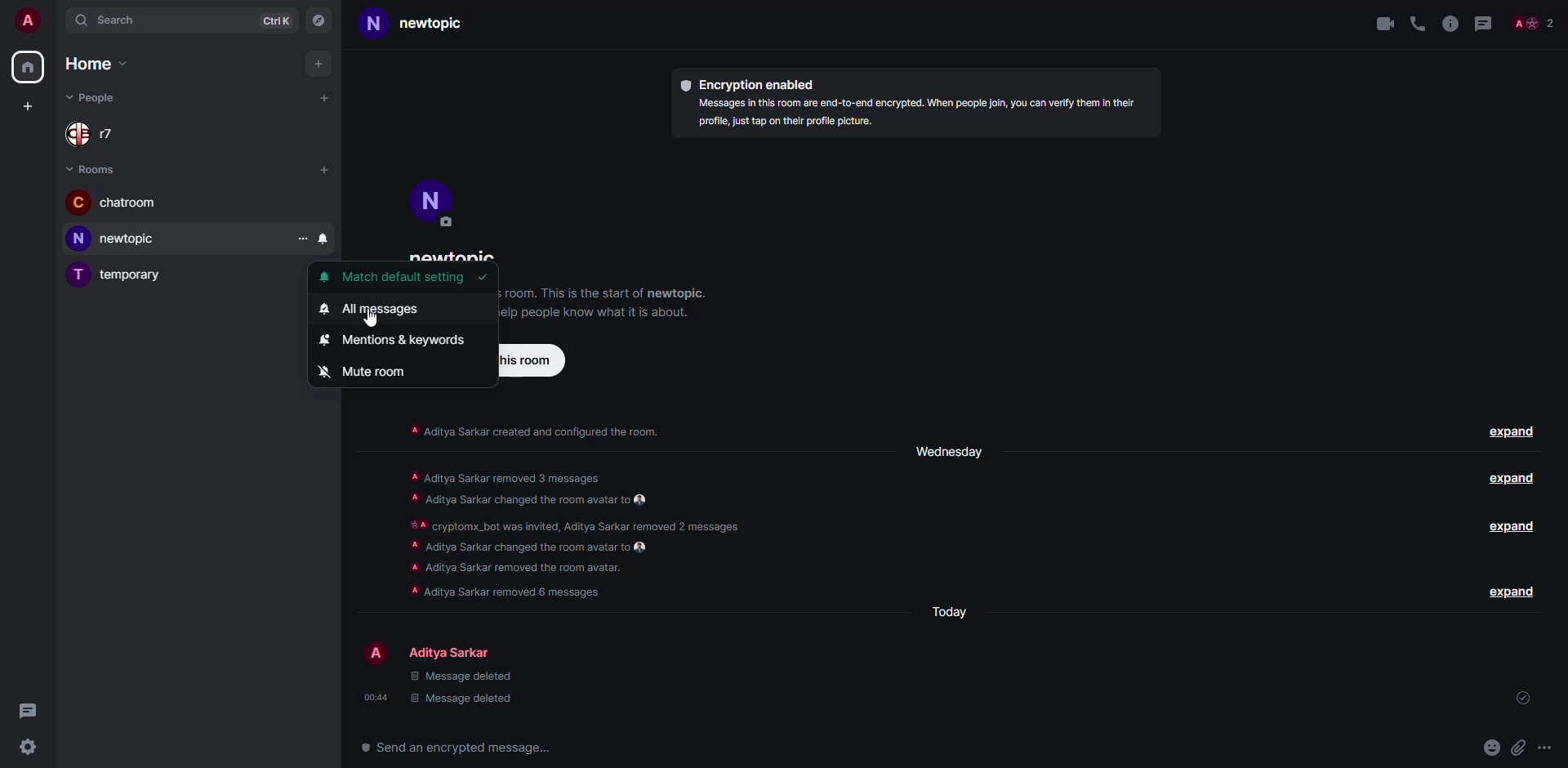  Describe the element at coordinates (322, 65) in the screenshot. I see `add` at that location.